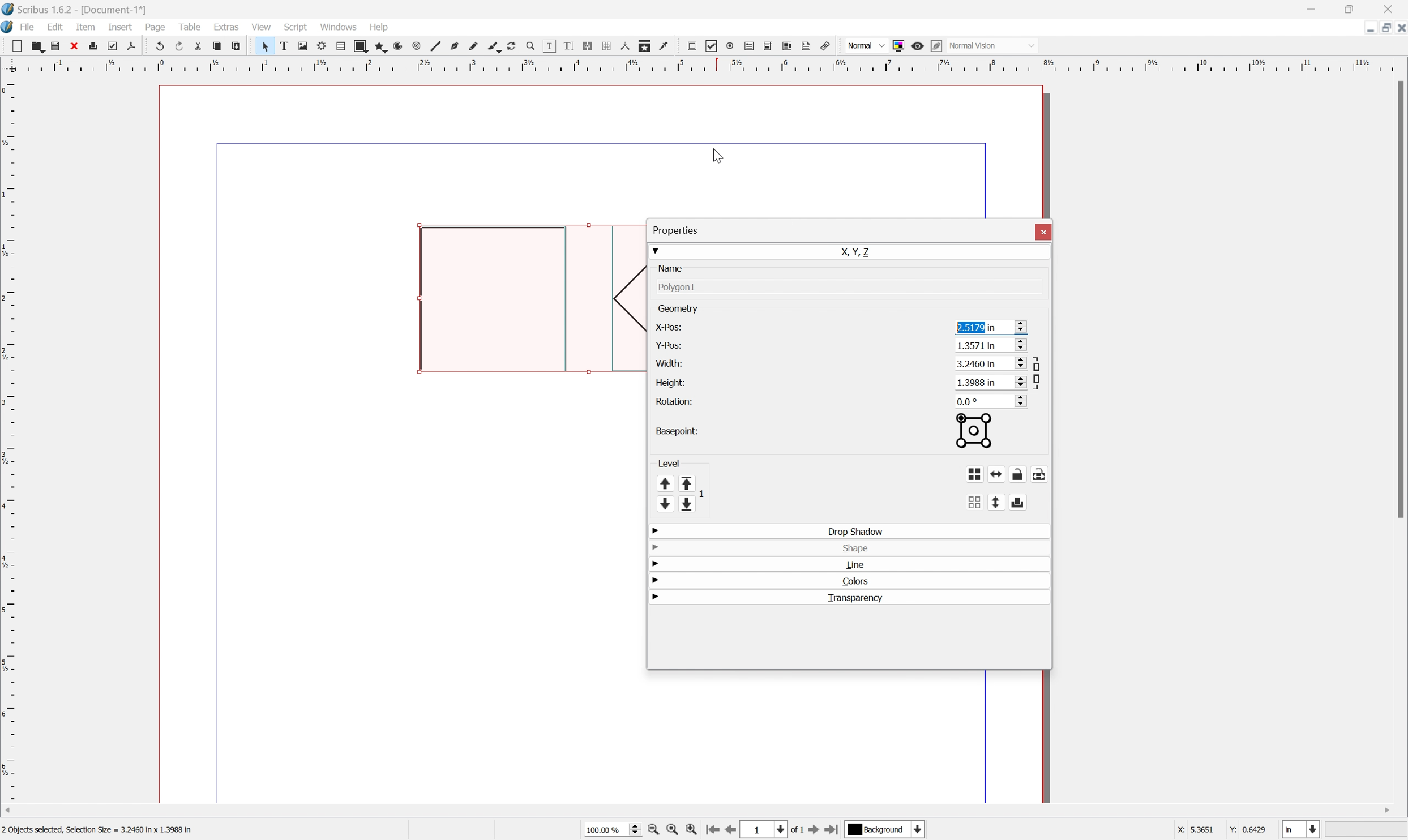 The height and width of the screenshot is (840, 1408). I want to click on page, so click(157, 27).